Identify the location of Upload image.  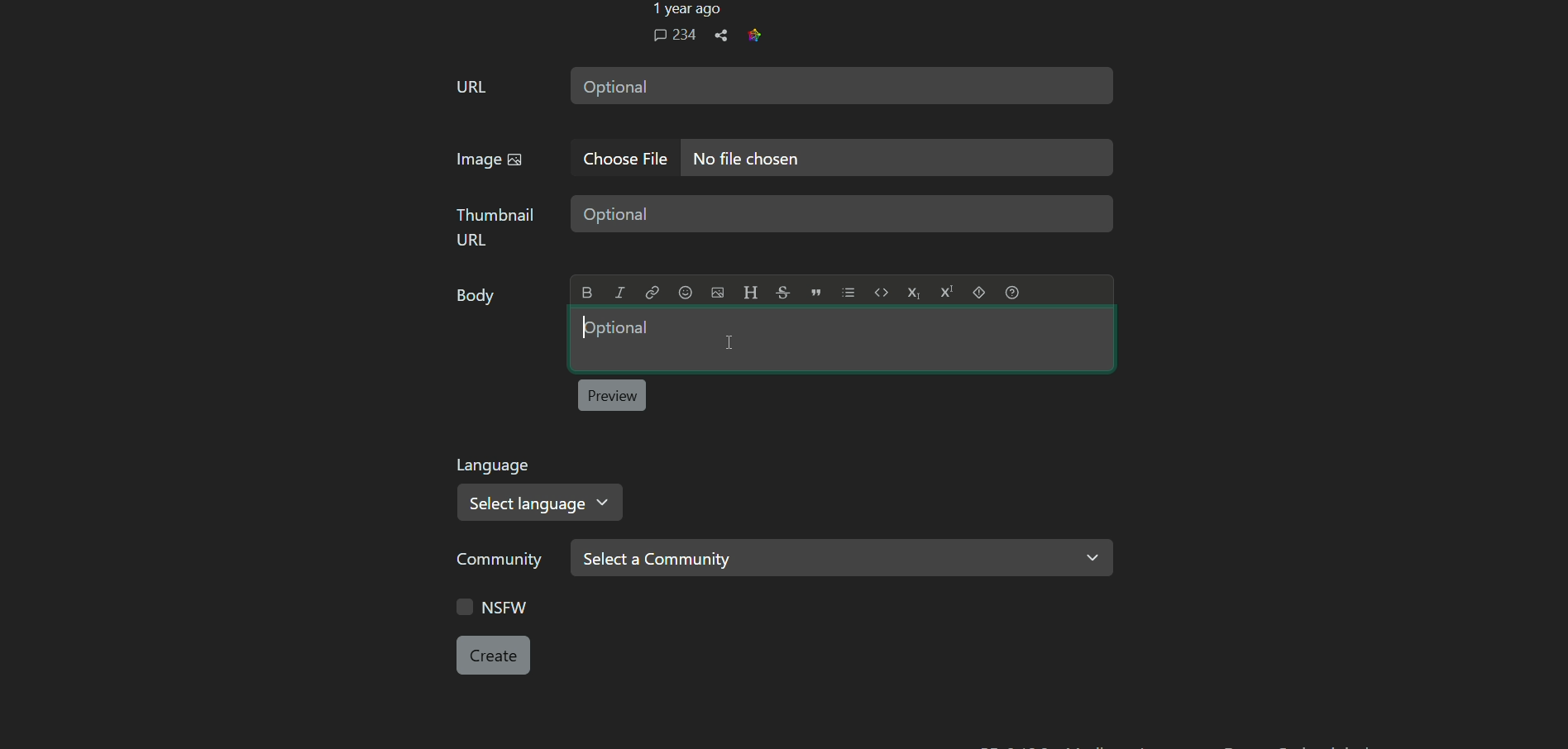
(717, 293).